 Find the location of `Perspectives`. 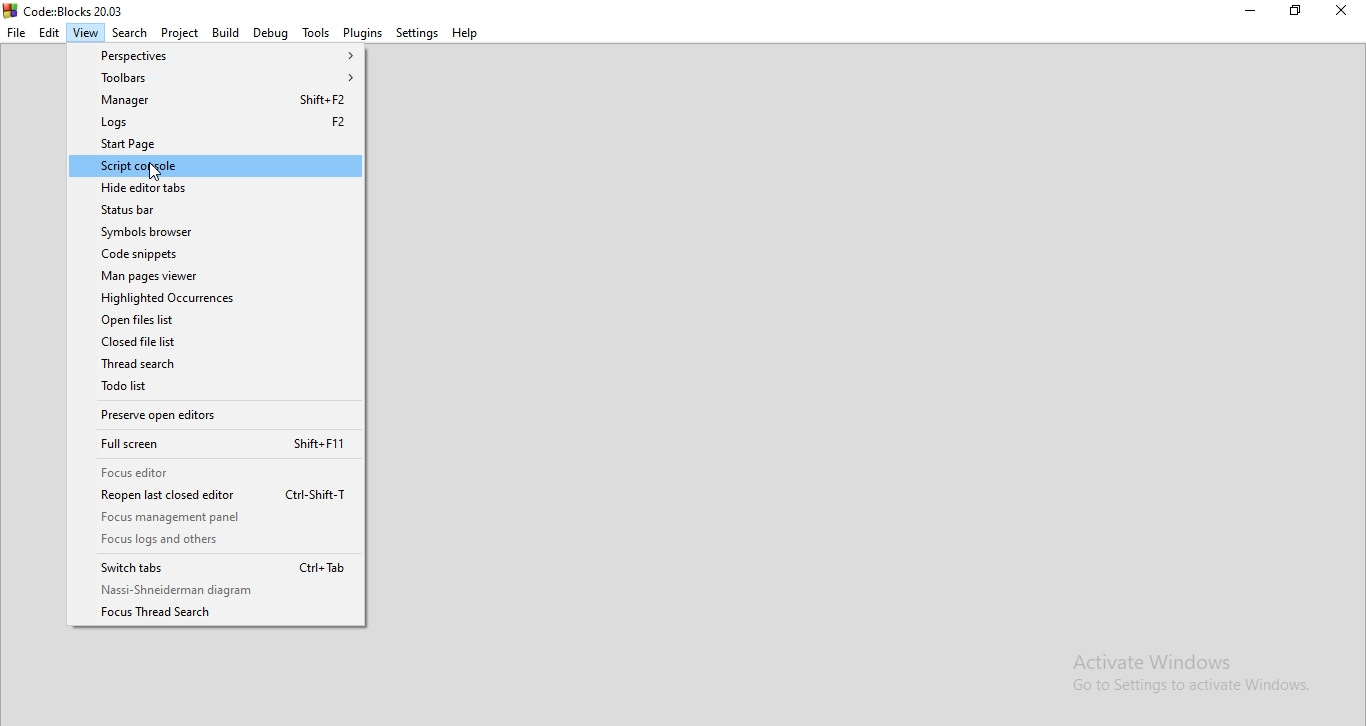

Perspectives is located at coordinates (217, 56).